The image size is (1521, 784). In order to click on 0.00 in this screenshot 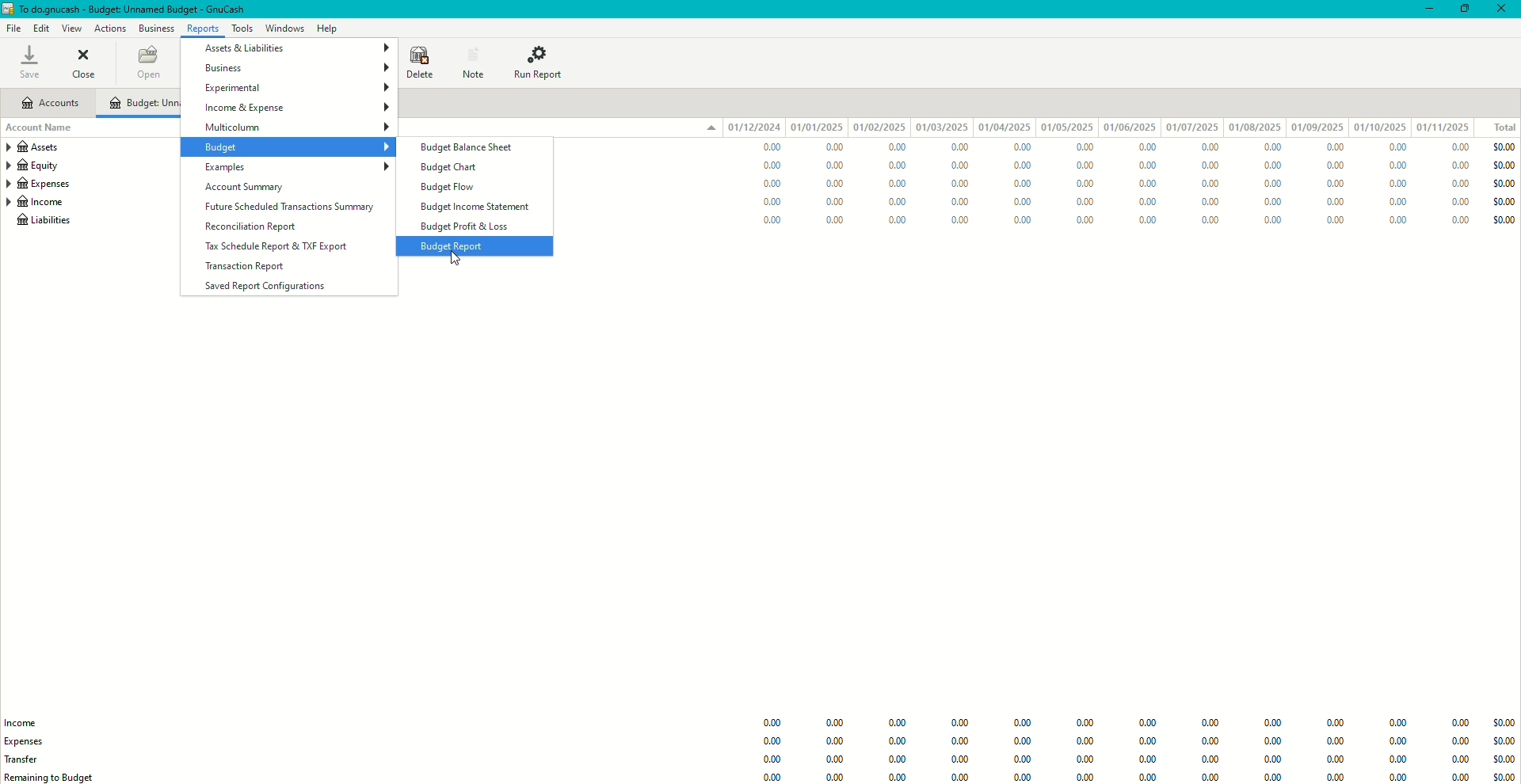, I will do `click(1082, 166)`.